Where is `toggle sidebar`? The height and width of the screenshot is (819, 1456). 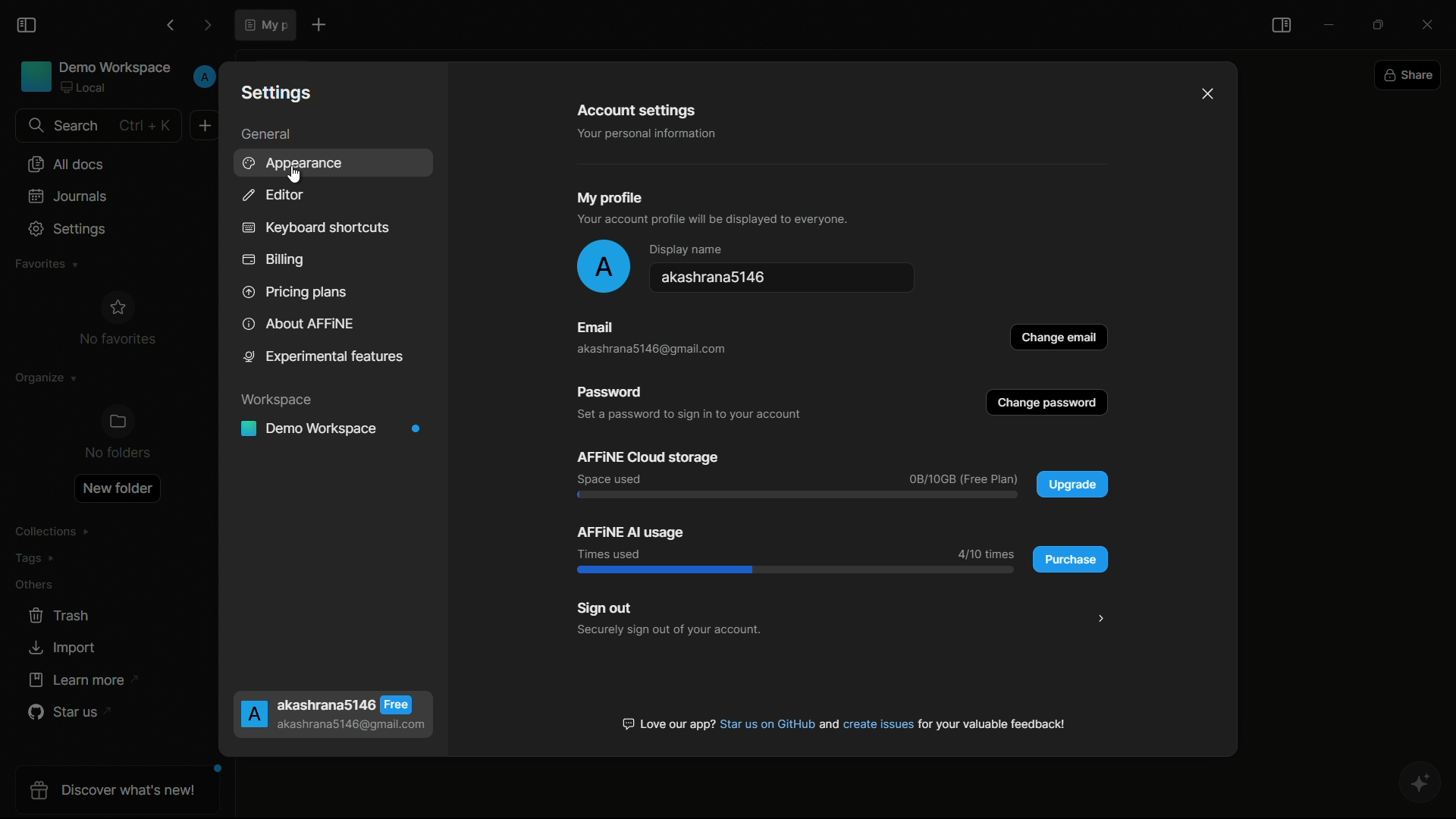
toggle sidebar is located at coordinates (28, 26).